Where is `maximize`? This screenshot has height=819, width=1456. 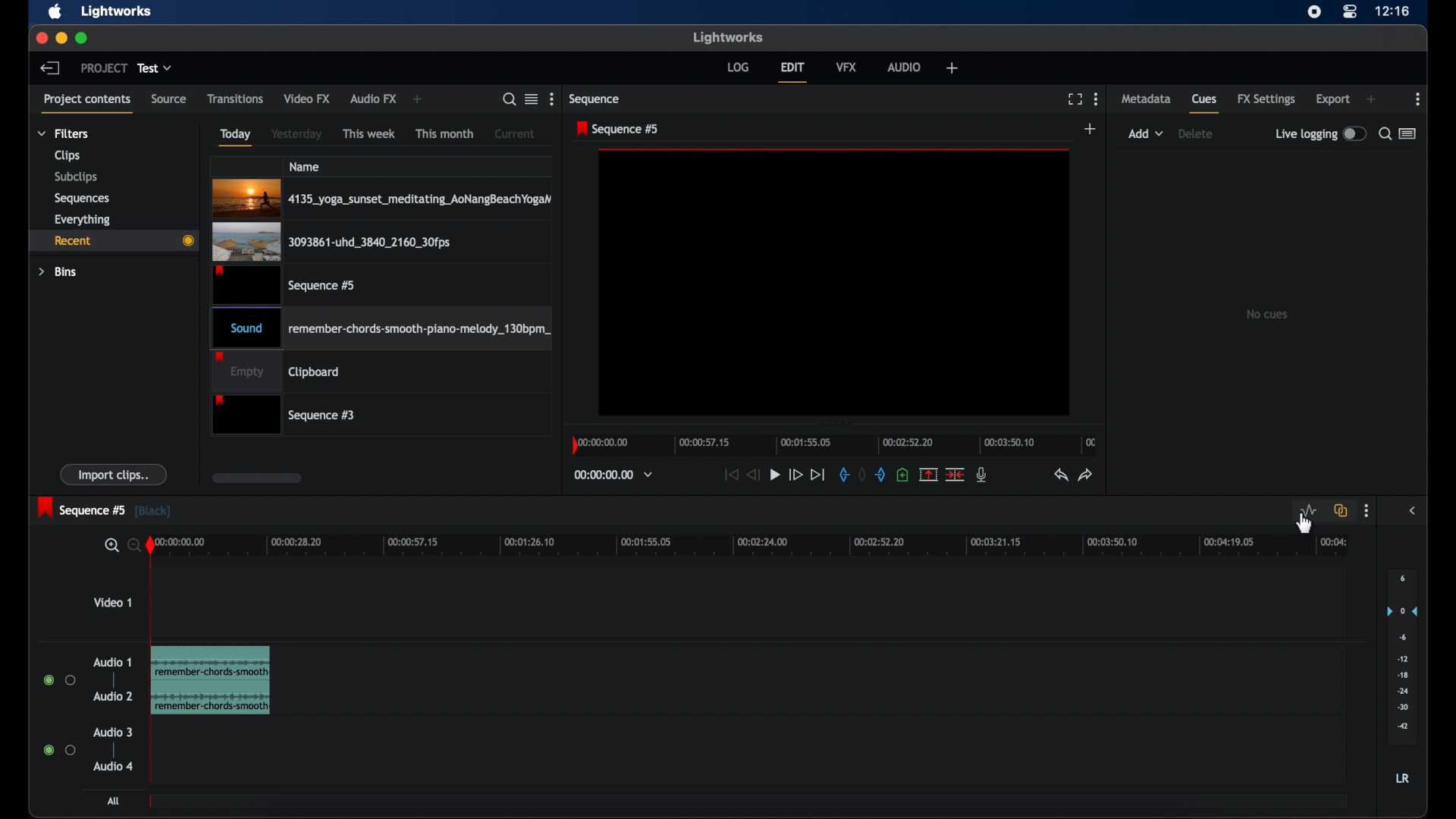 maximize is located at coordinates (83, 38).